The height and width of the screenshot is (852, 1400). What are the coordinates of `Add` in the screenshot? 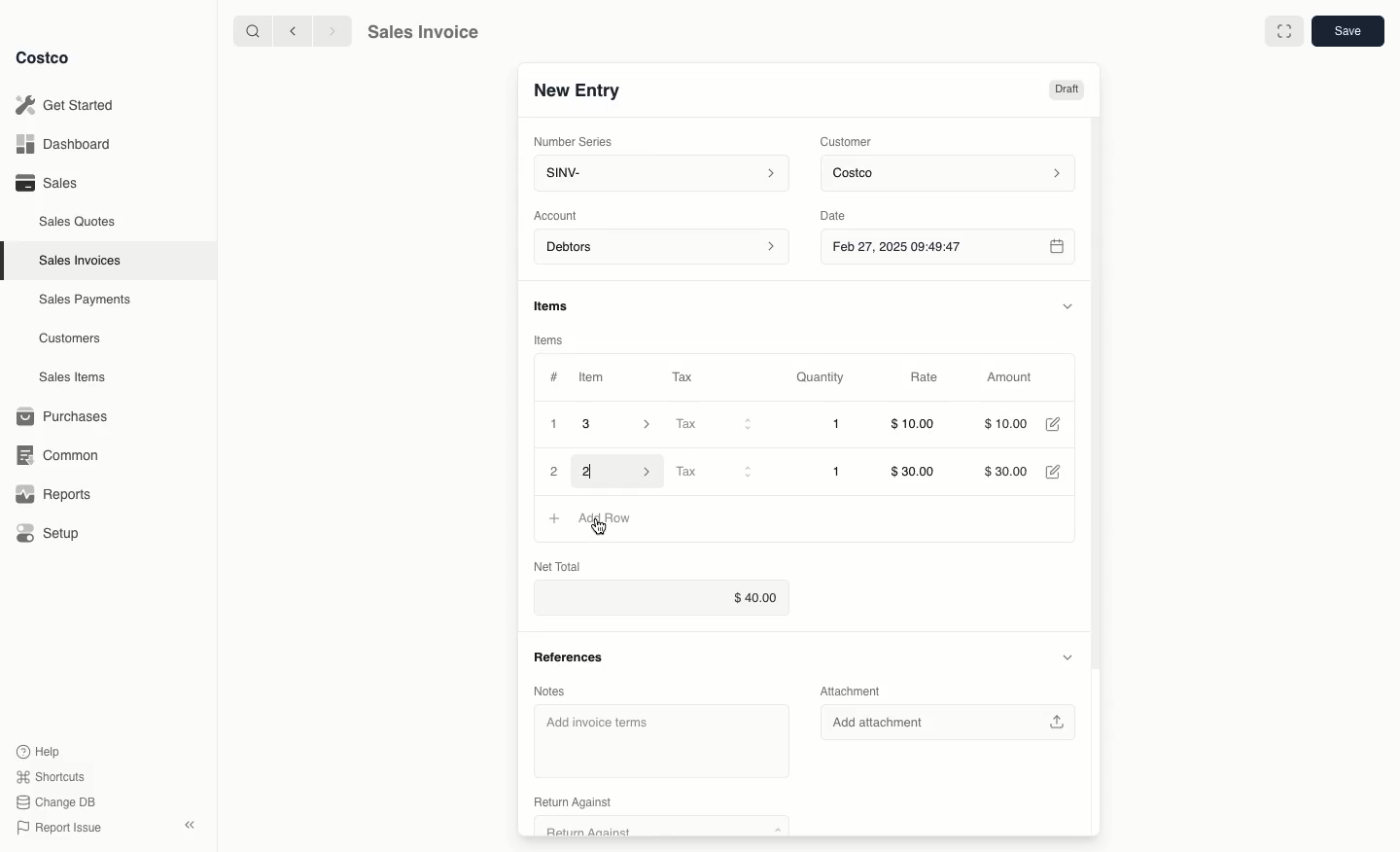 It's located at (552, 518).